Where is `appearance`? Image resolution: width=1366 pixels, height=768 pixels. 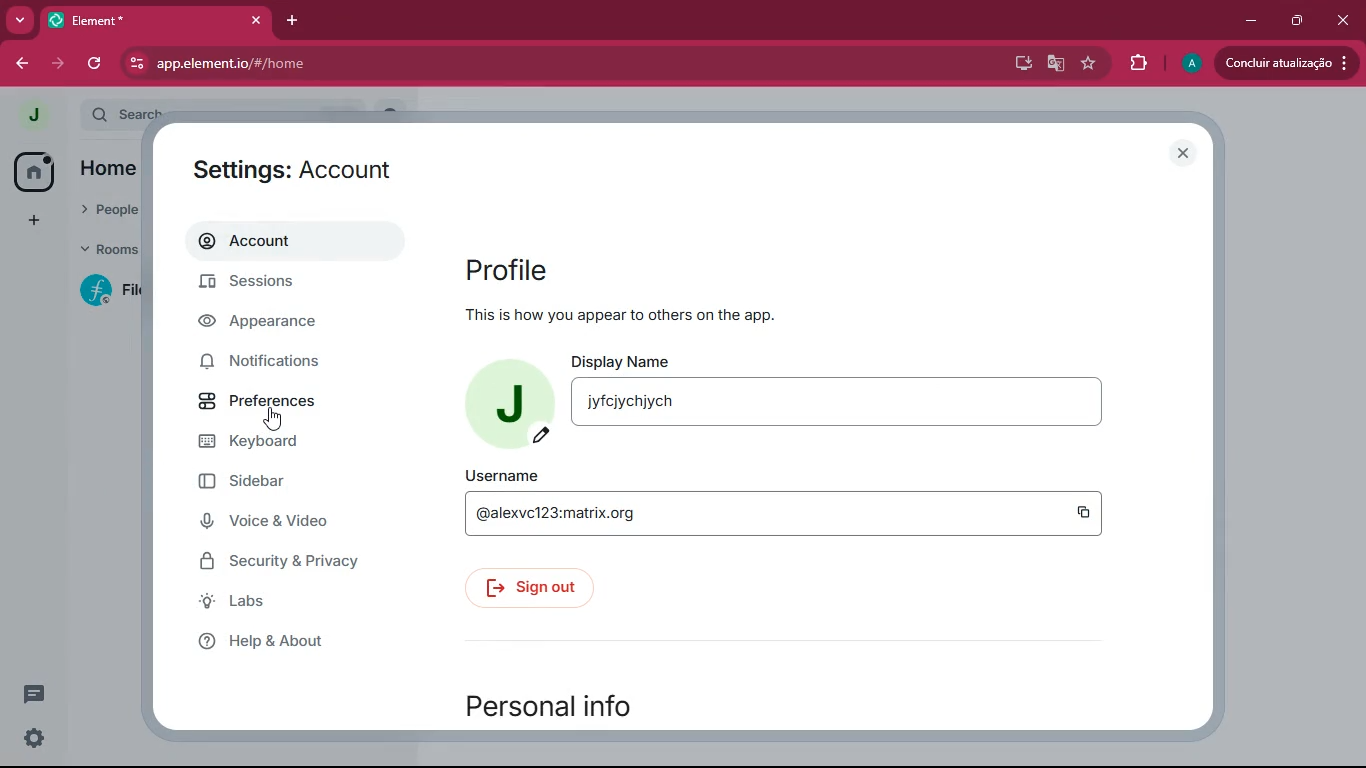 appearance is located at coordinates (267, 323).